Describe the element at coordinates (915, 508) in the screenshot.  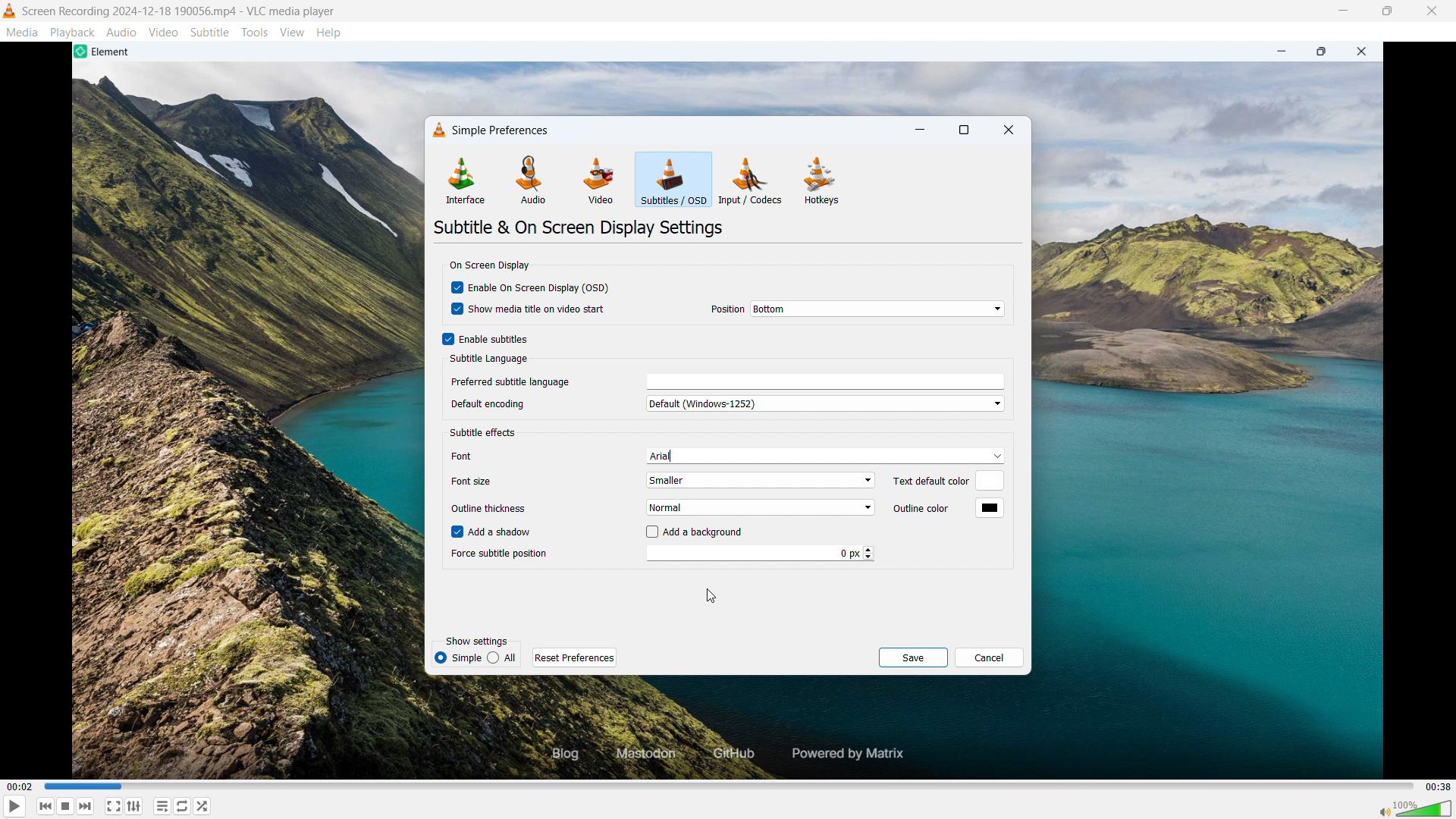
I see `outline color` at that location.